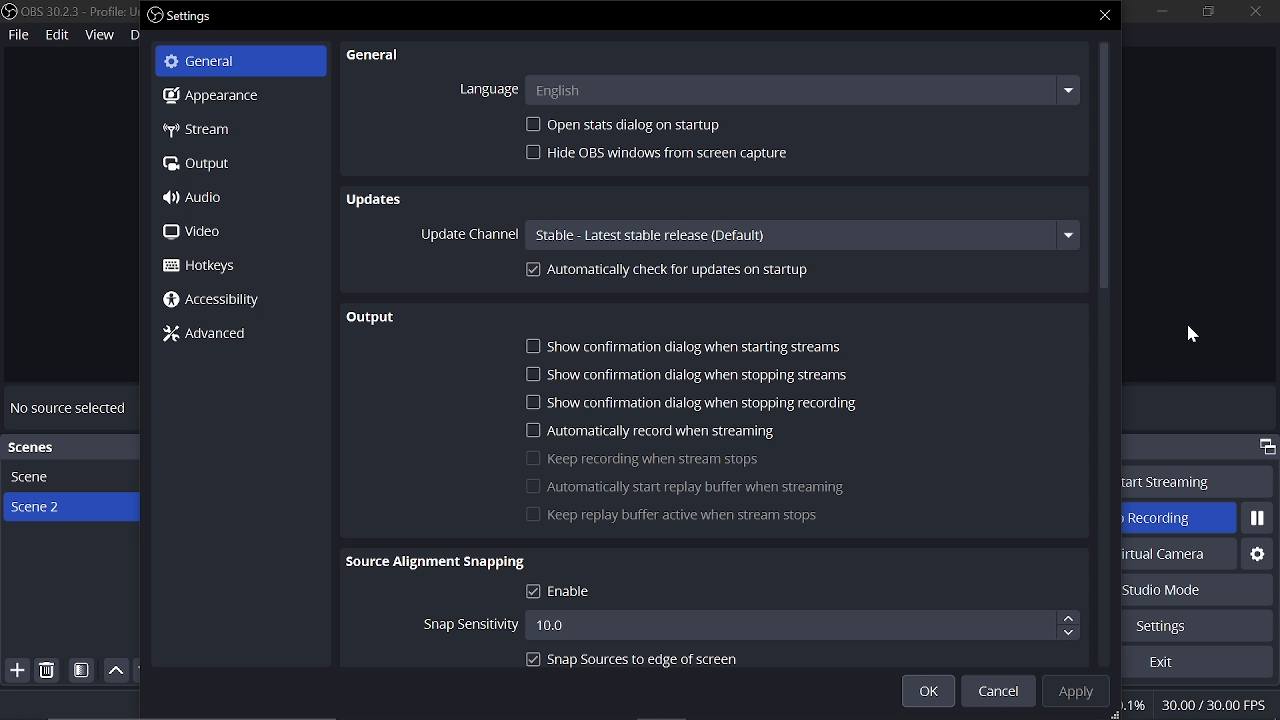 Image resolution: width=1280 pixels, height=720 pixels. I want to click on toggle controls, so click(1267, 447).